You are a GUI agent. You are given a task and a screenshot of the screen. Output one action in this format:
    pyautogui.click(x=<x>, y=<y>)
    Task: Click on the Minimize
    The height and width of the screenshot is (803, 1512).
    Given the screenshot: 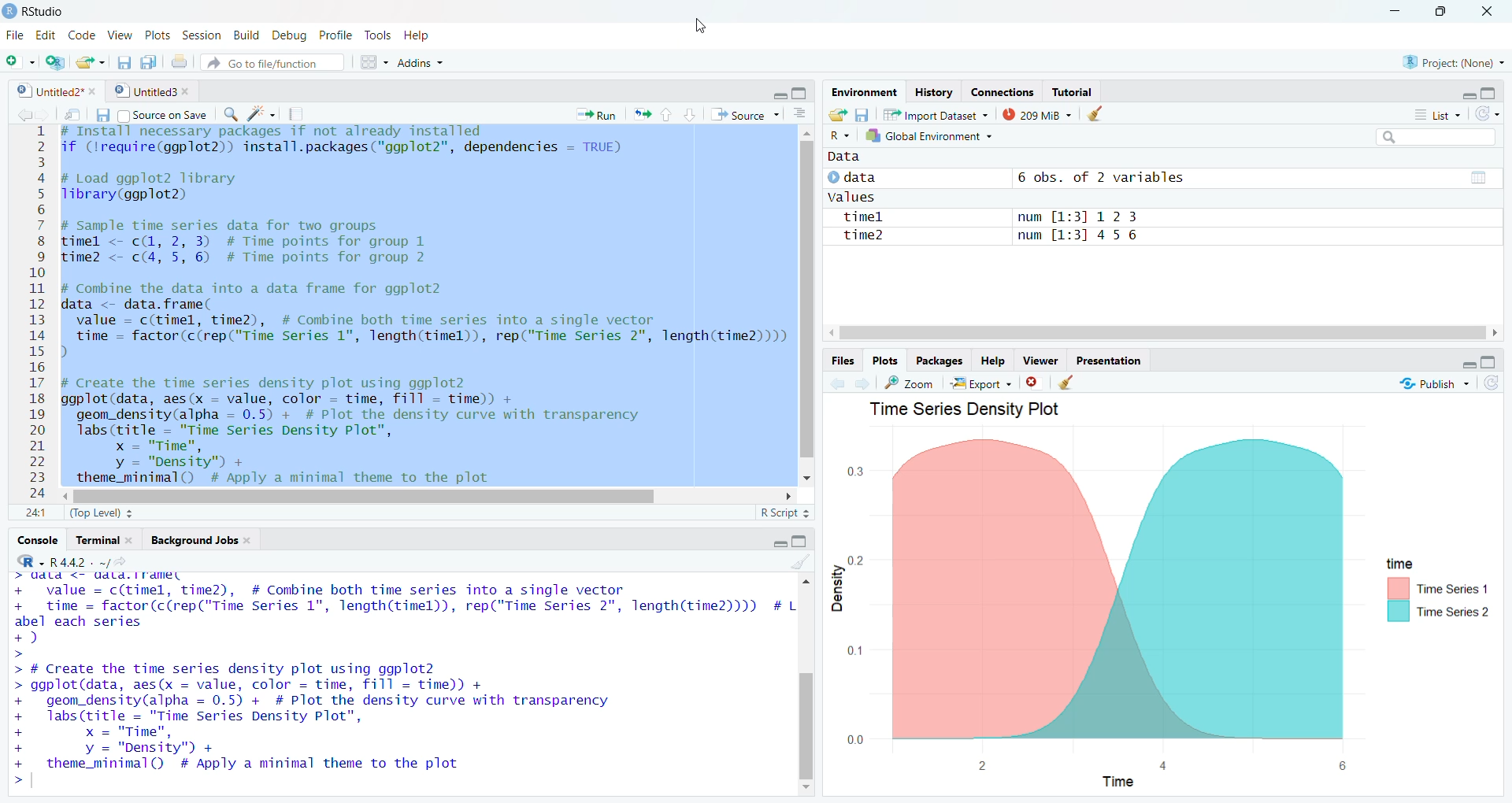 What is the action you would take?
    pyautogui.click(x=780, y=93)
    